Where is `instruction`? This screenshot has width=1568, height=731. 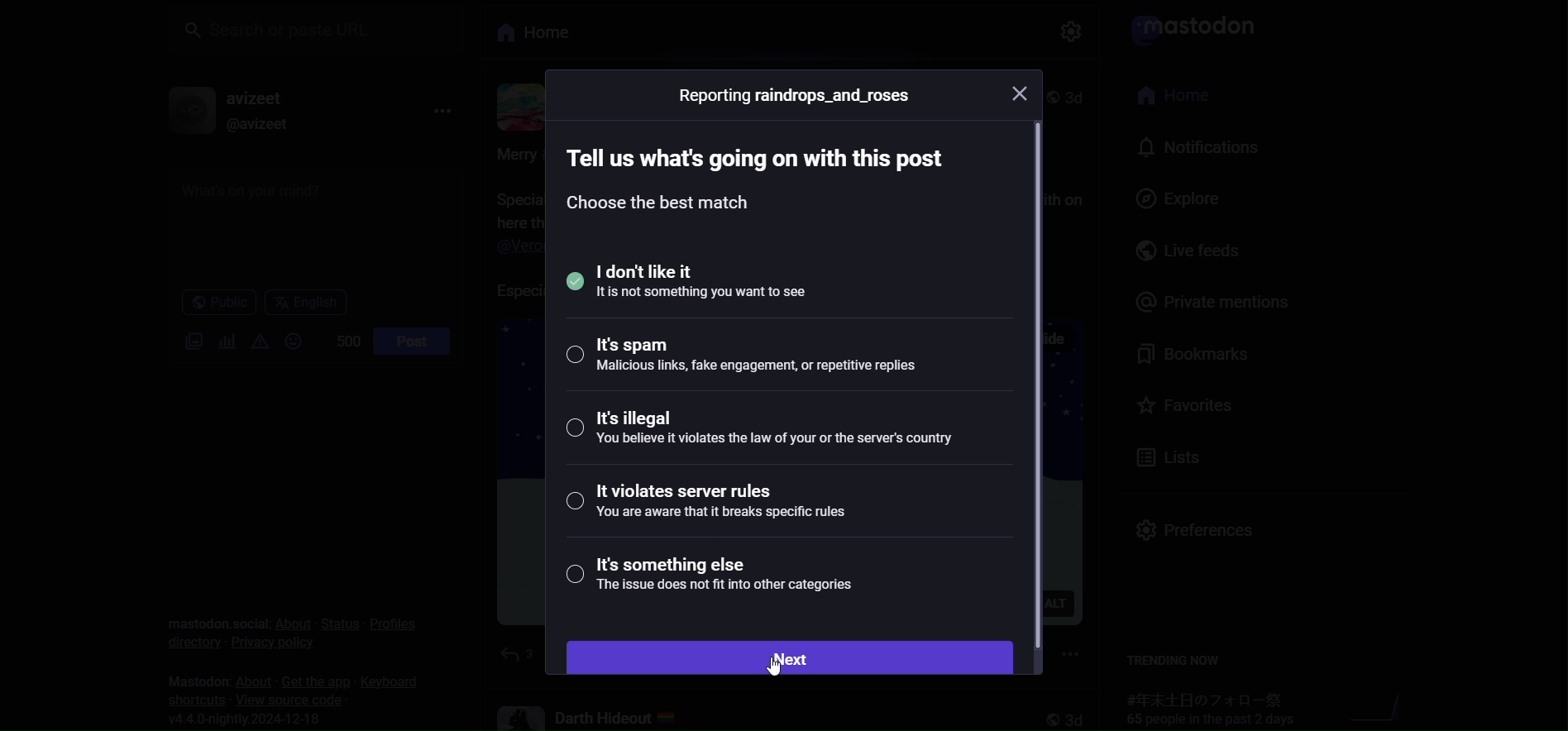
instruction is located at coordinates (745, 176).